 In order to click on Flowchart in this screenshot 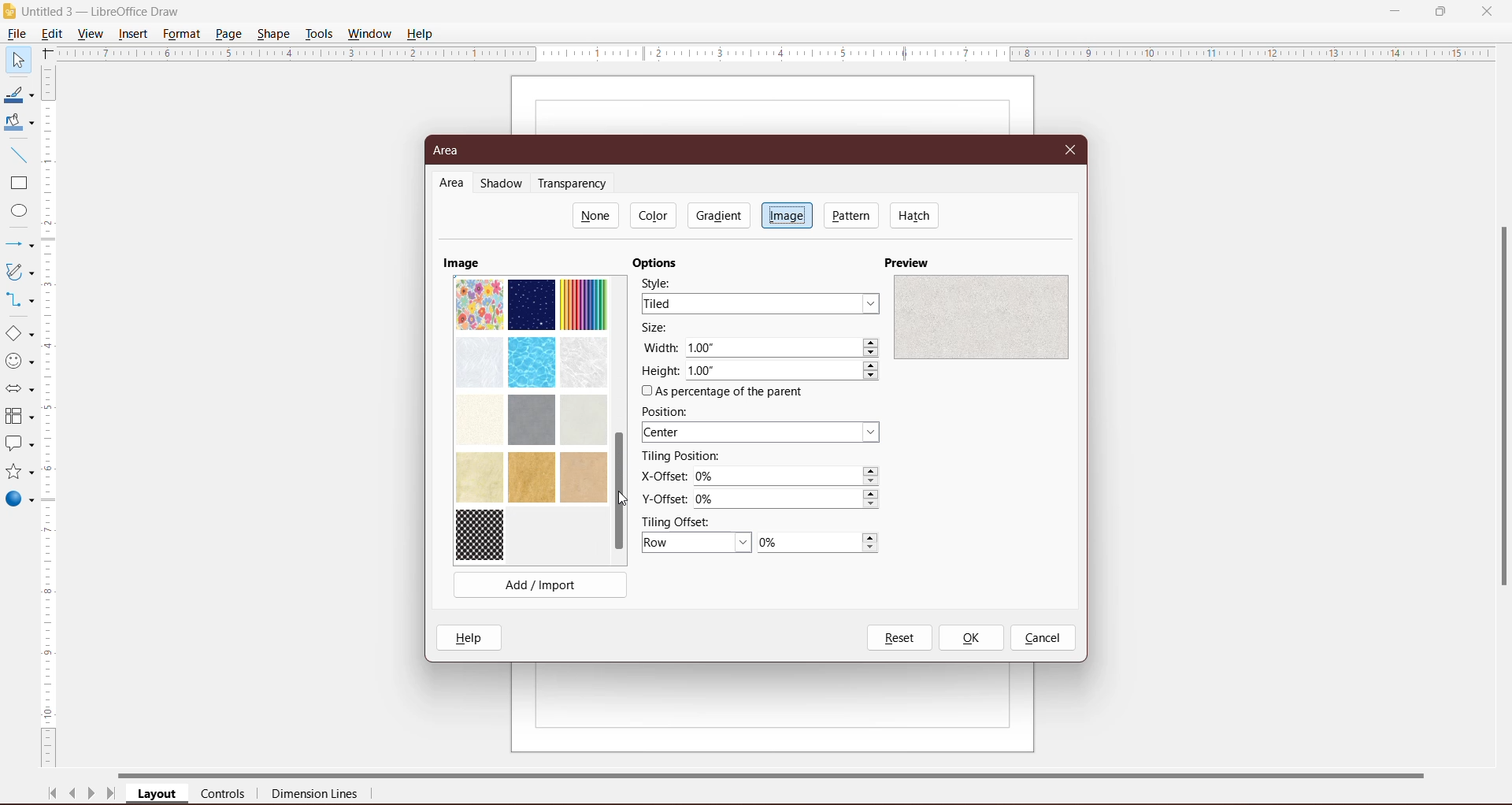, I will do `click(19, 417)`.